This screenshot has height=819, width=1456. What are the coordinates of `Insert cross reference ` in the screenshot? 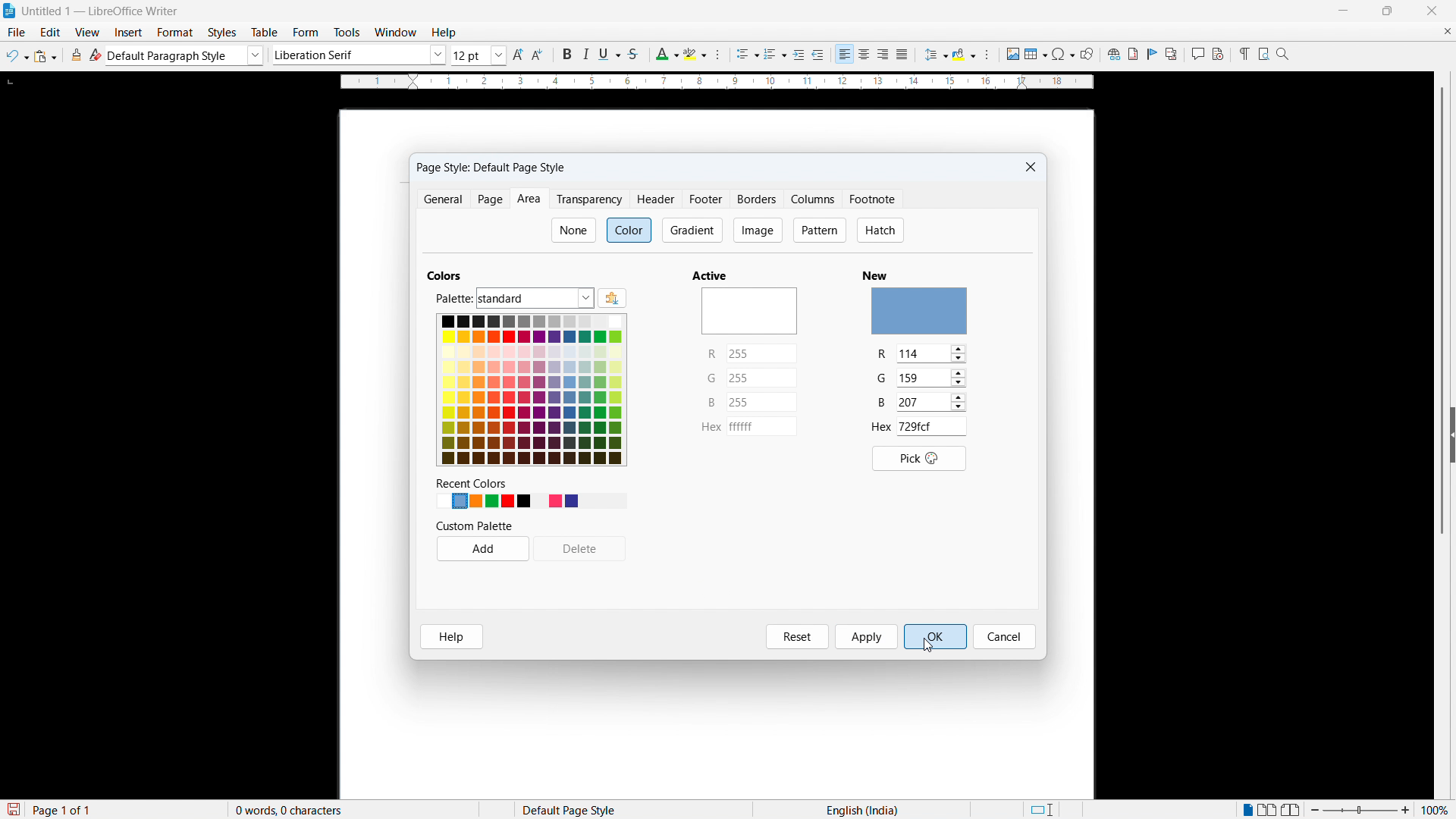 It's located at (1172, 54).